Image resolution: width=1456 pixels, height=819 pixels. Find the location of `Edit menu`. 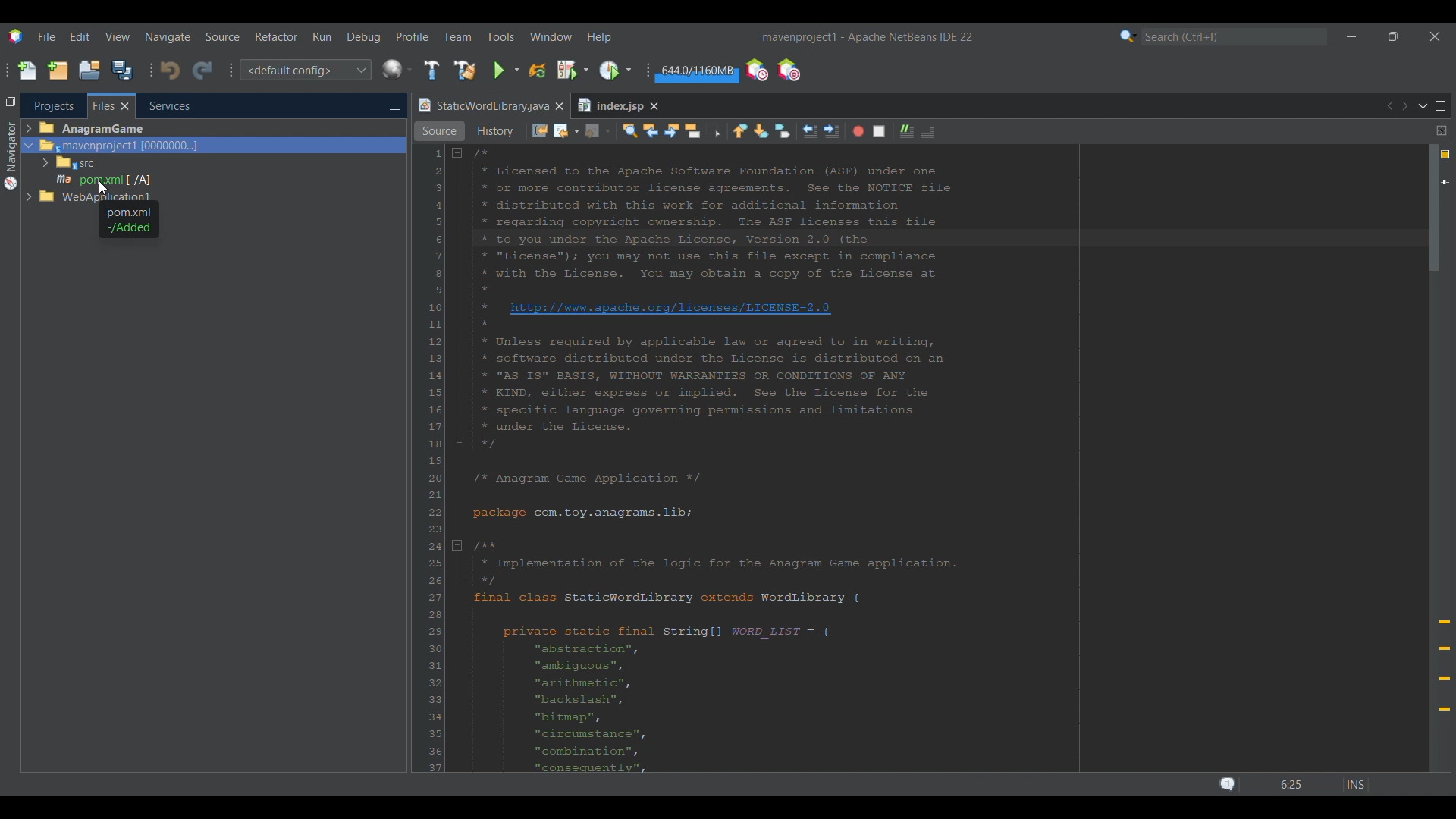

Edit menu is located at coordinates (80, 36).